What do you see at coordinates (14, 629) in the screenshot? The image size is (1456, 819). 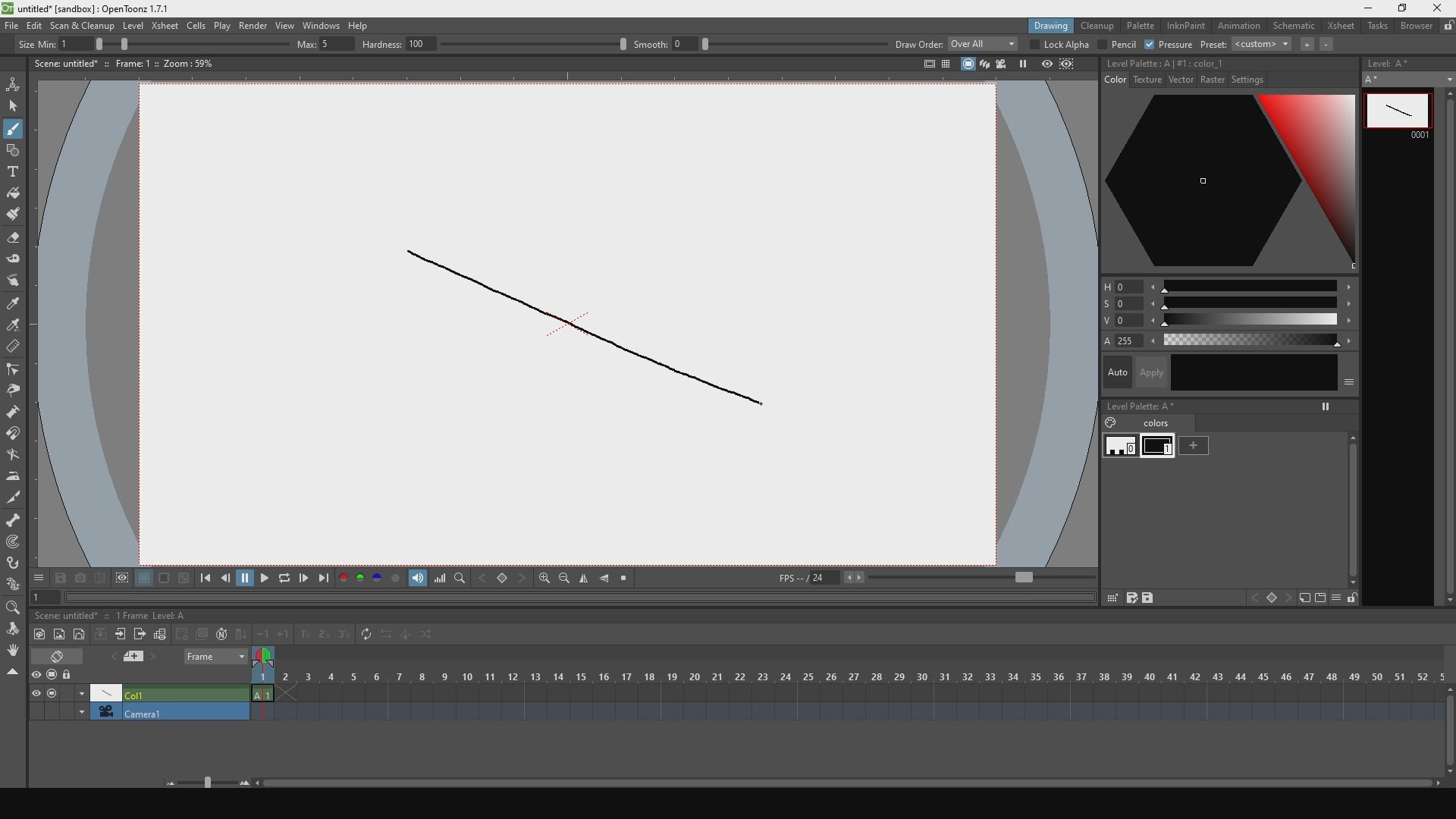 I see `move` at bounding box center [14, 629].